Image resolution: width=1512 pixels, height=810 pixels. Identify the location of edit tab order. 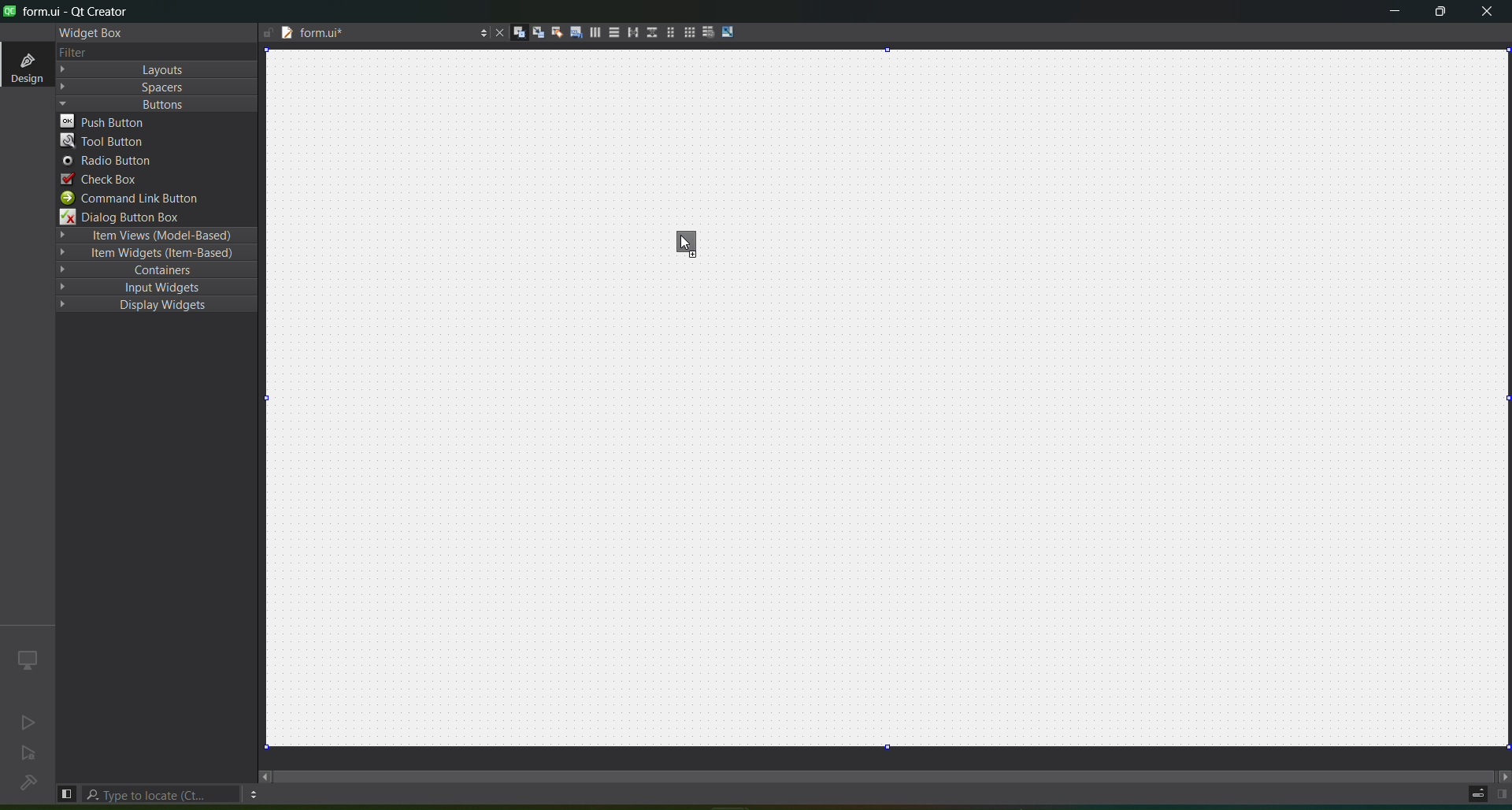
(573, 33).